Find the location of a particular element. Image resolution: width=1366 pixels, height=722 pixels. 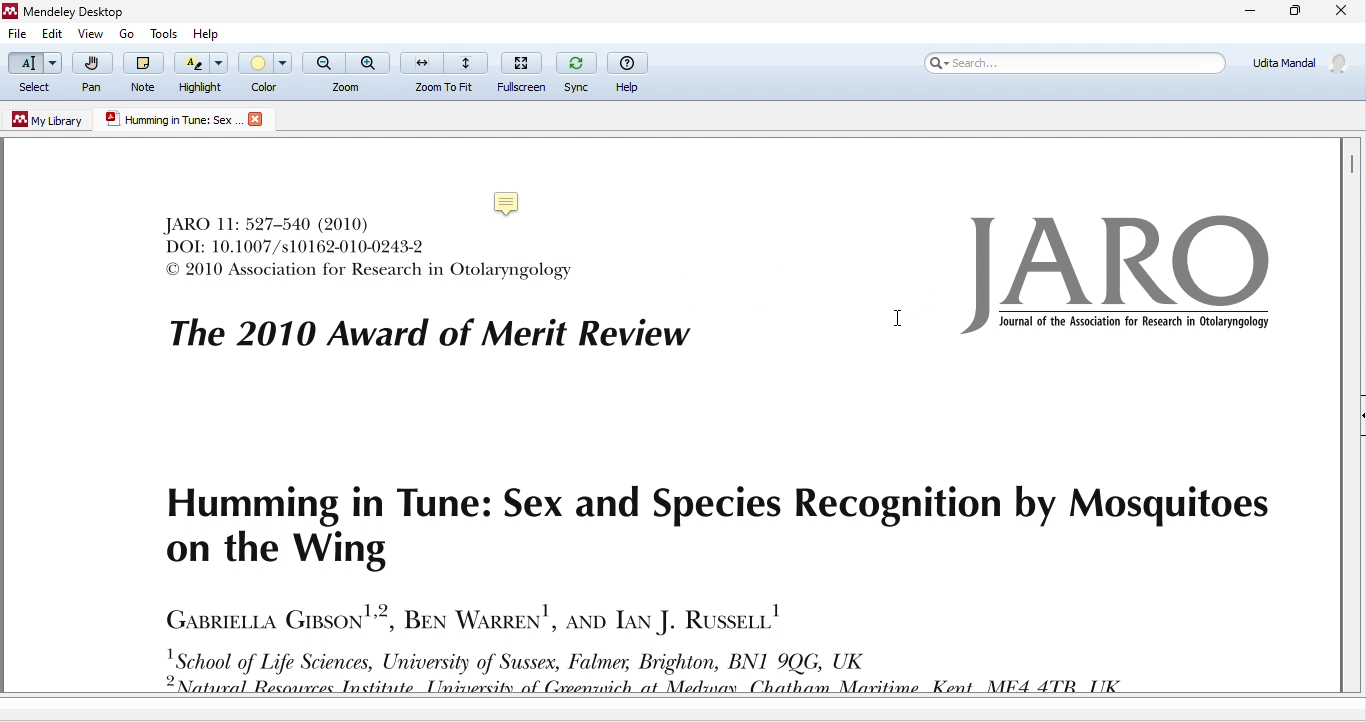

color is located at coordinates (265, 71).